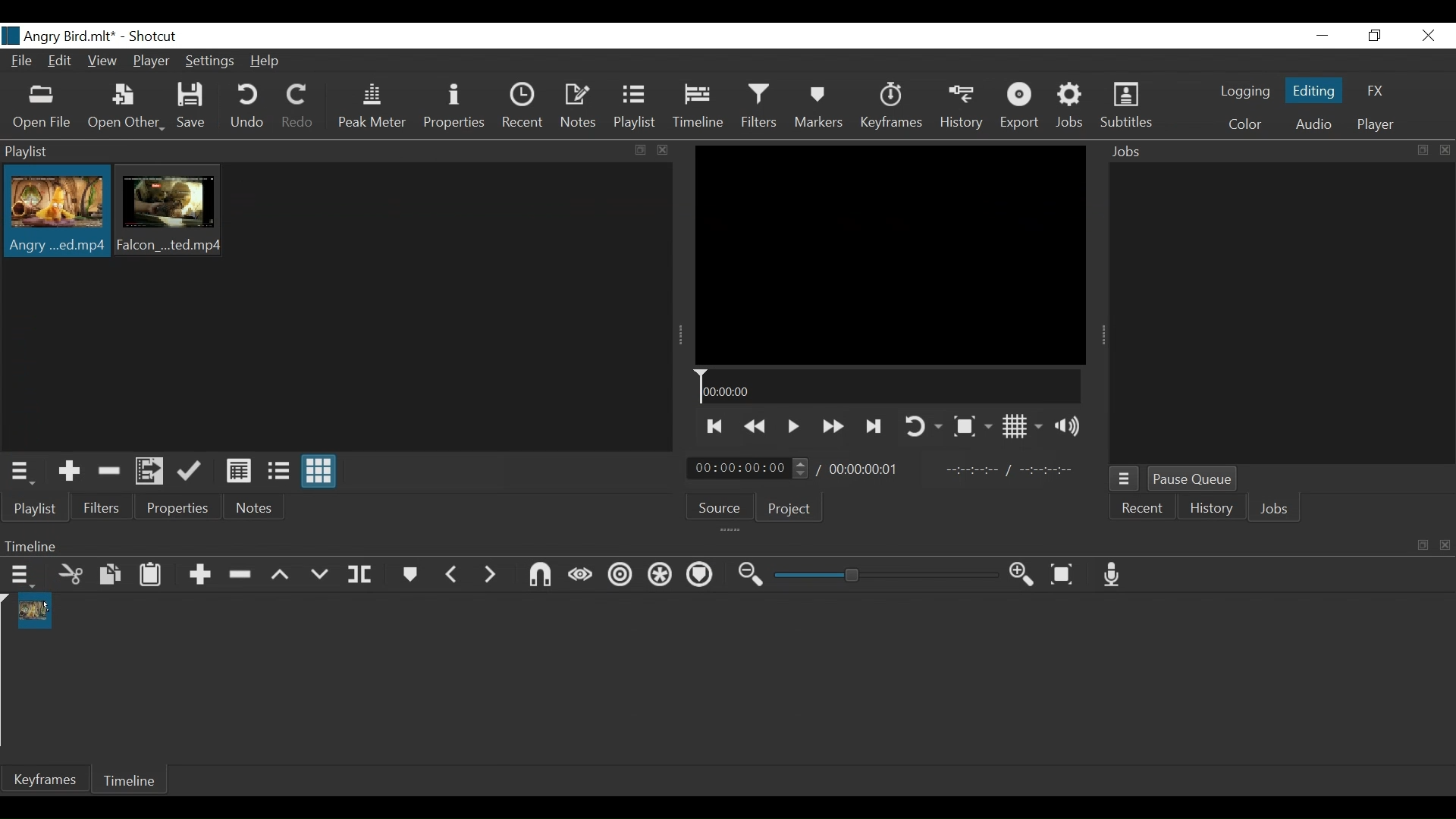 This screenshot has width=1456, height=819. What do you see at coordinates (319, 470) in the screenshot?
I see `View as icons` at bounding box center [319, 470].